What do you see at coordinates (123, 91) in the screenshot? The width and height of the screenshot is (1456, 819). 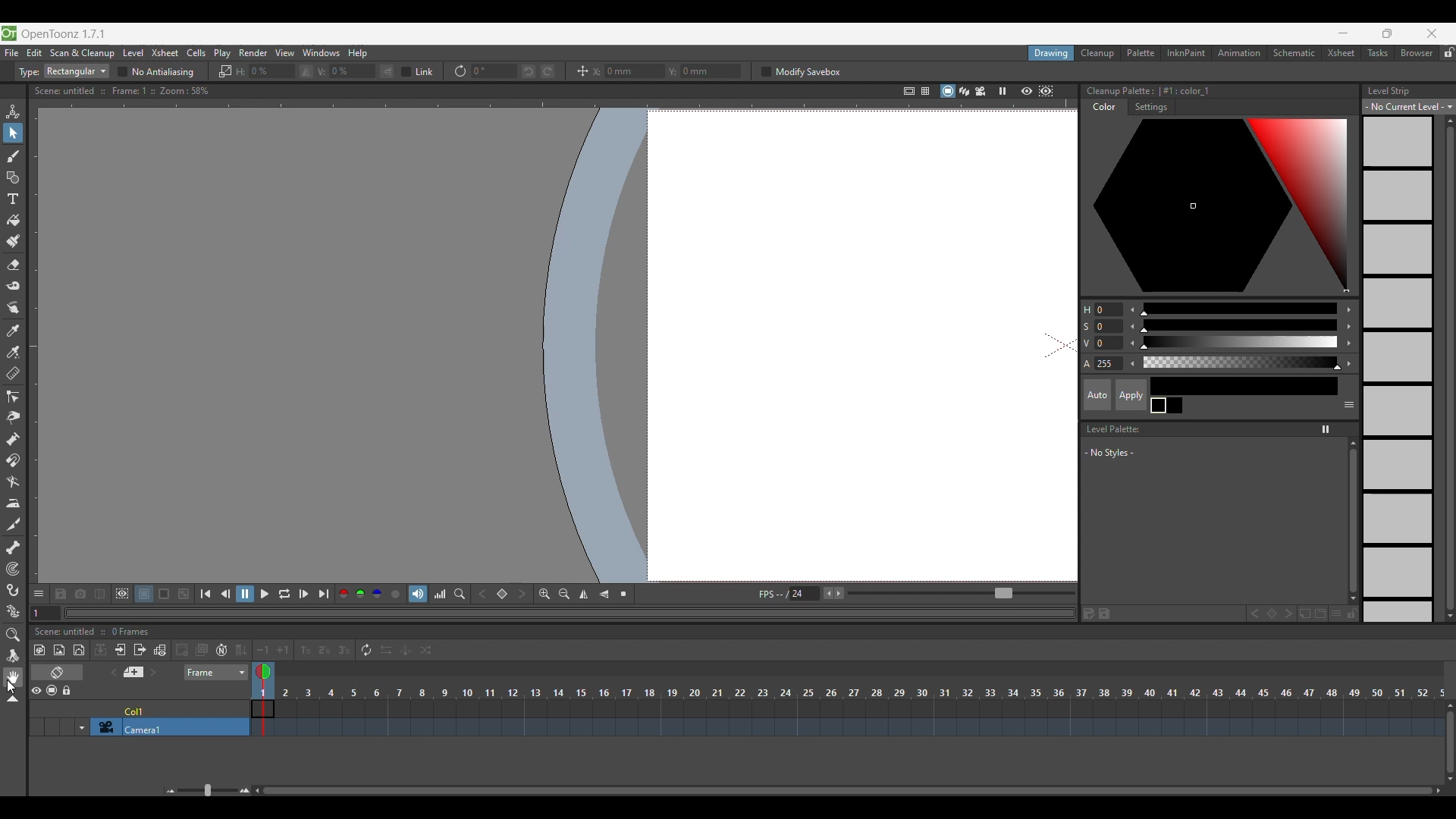 I see `Scene information` at bounding box center [123, 91].